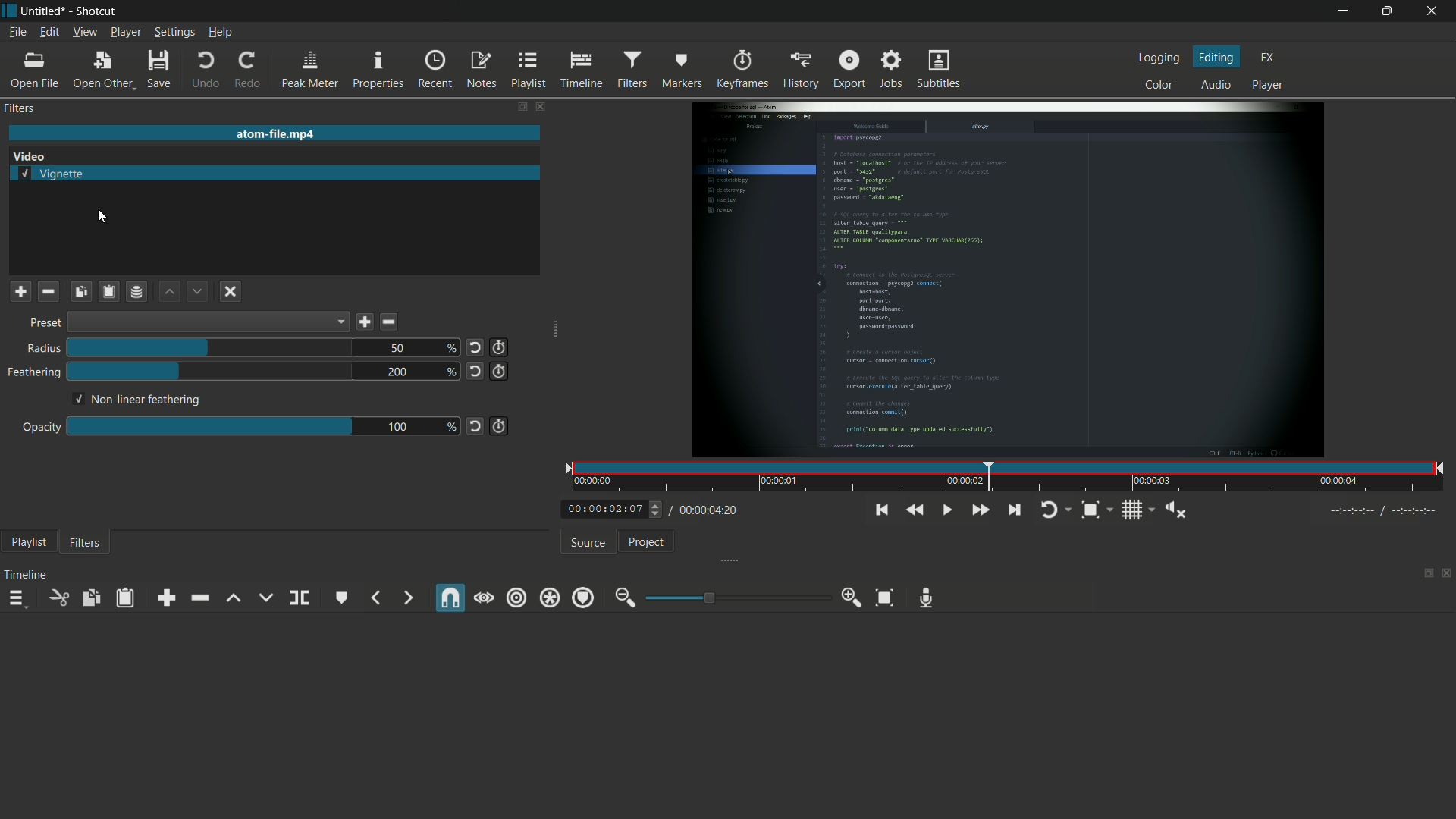  I want to click on close filters, so click(545, 108).